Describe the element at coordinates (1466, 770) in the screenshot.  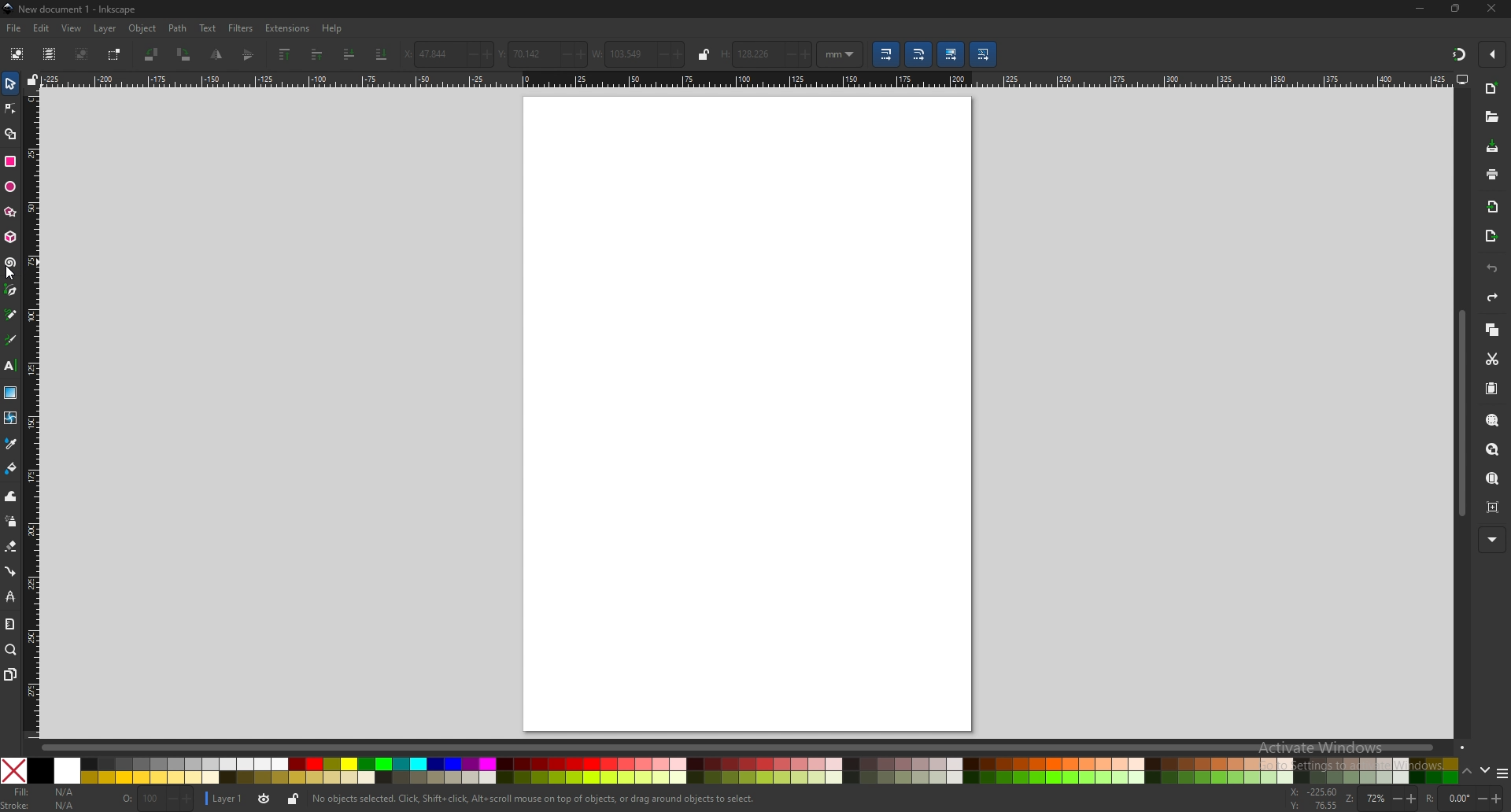
I see `up` at that location.